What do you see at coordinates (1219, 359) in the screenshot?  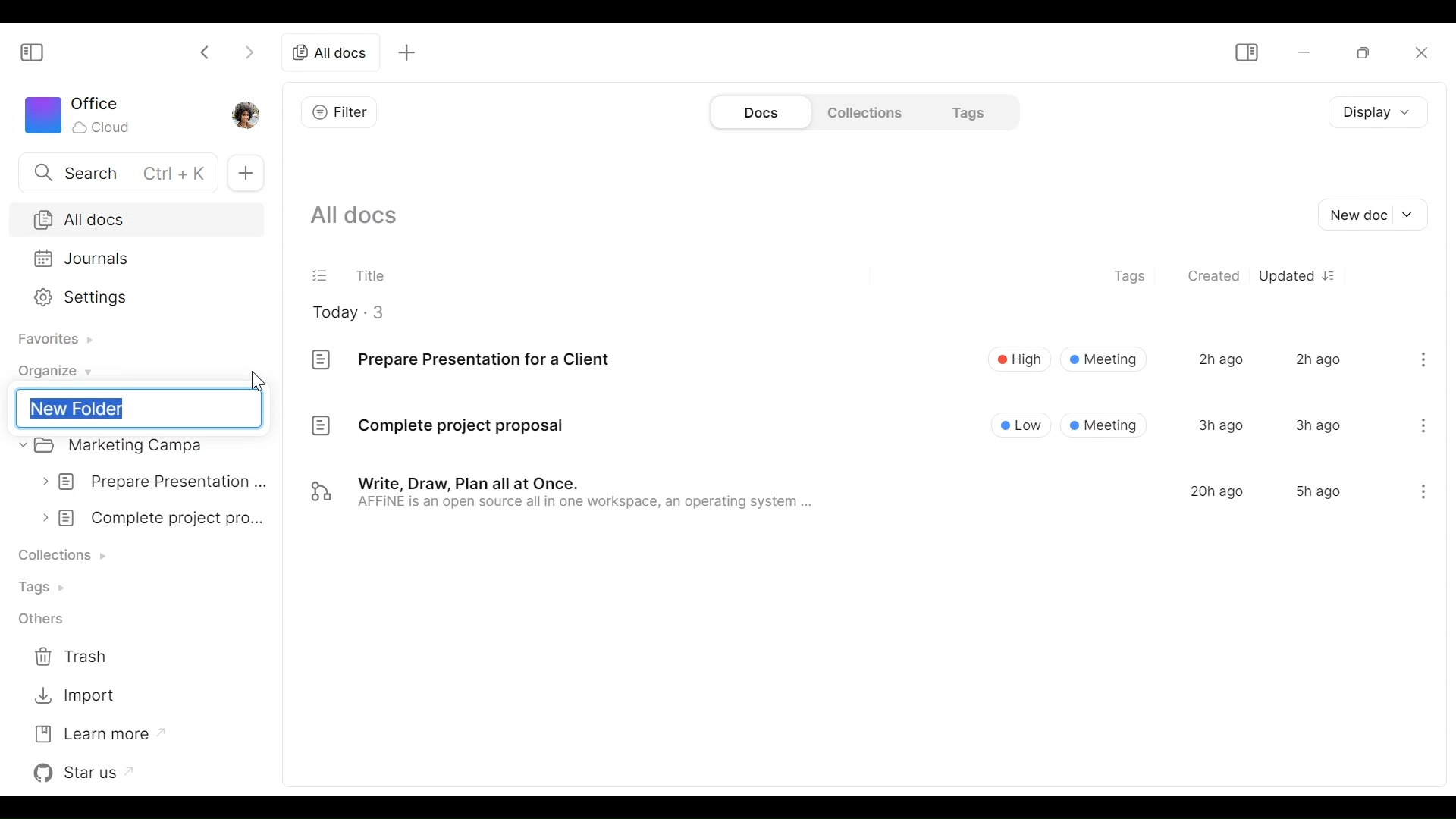 I see `2h ago` at bounding box center [1219, 359].